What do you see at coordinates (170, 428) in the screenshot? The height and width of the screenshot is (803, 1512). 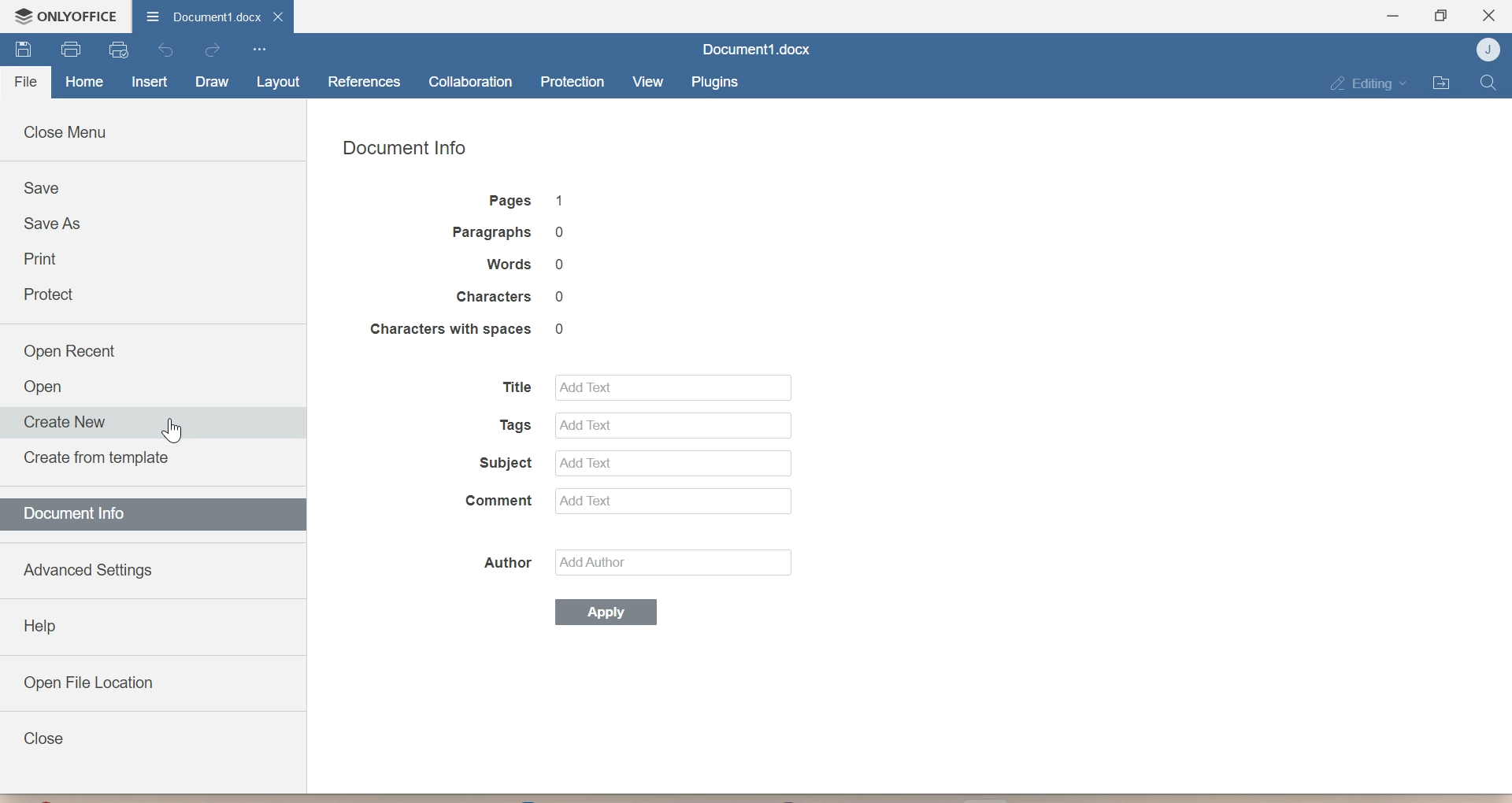 I see `Cursor on create now` at bounding box center [170, 428].